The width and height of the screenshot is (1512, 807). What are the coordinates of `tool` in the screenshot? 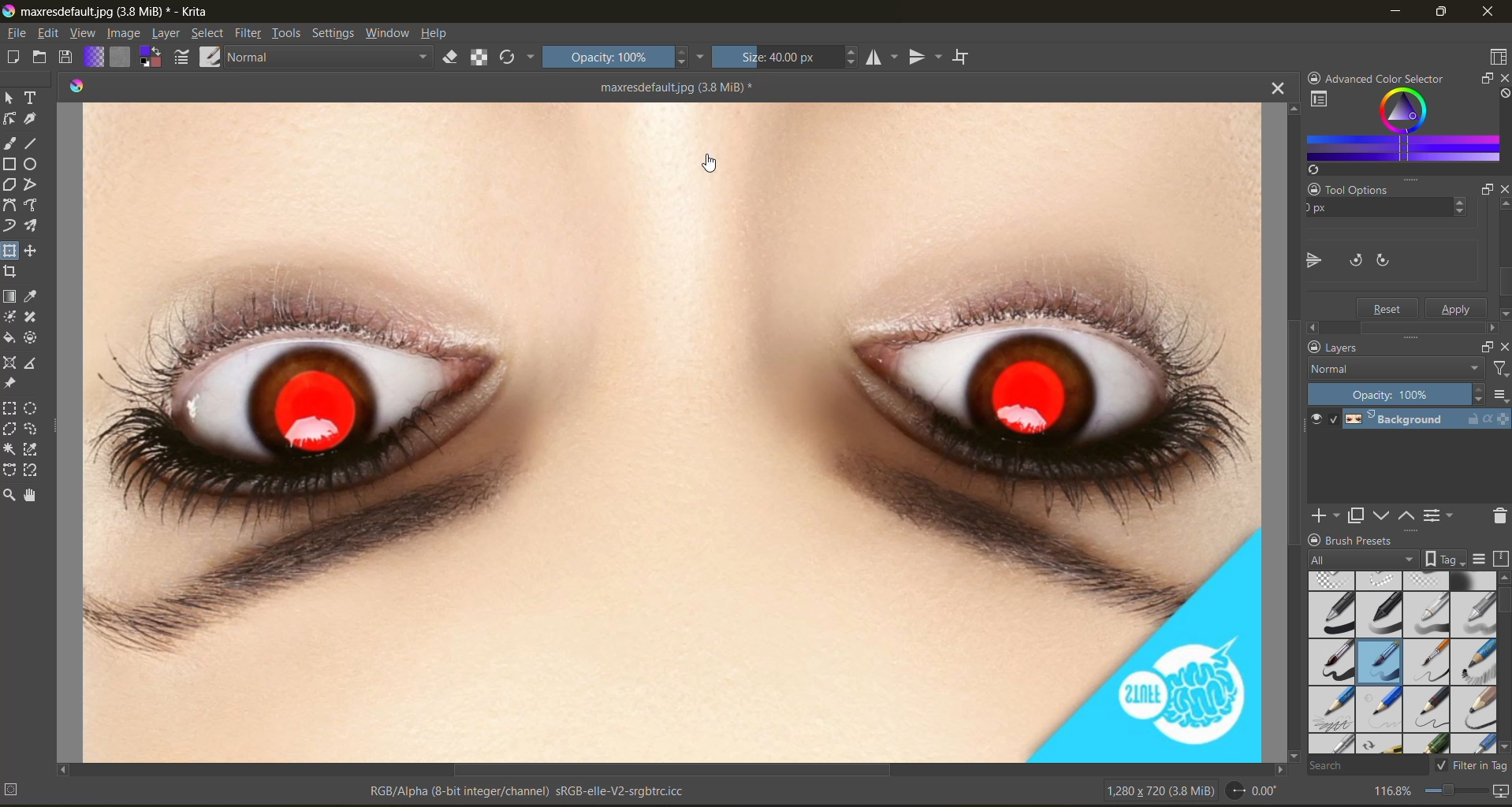 It's located at (32, 471).